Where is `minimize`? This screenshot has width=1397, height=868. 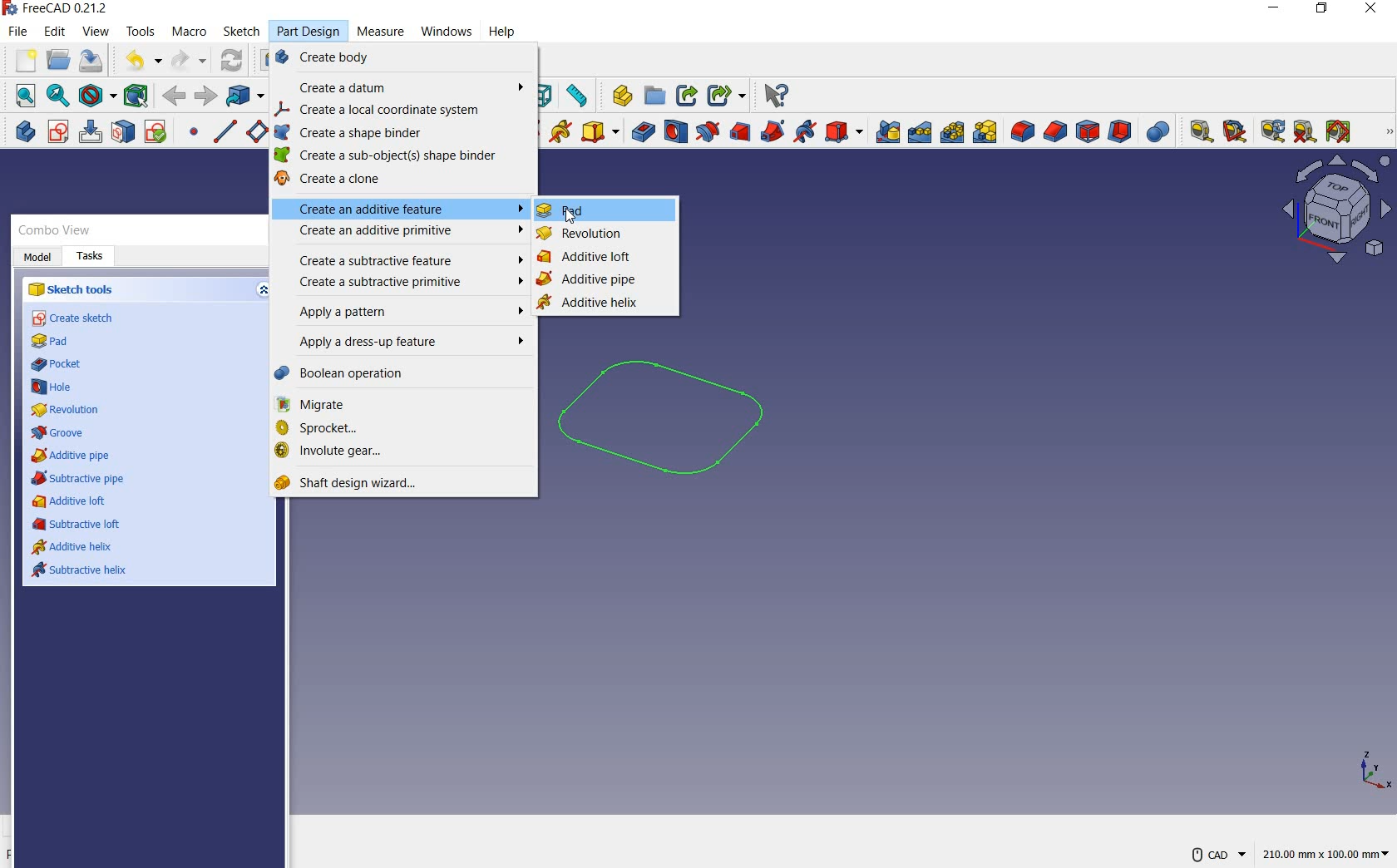 minimize is located at coordinates (1276, 8).